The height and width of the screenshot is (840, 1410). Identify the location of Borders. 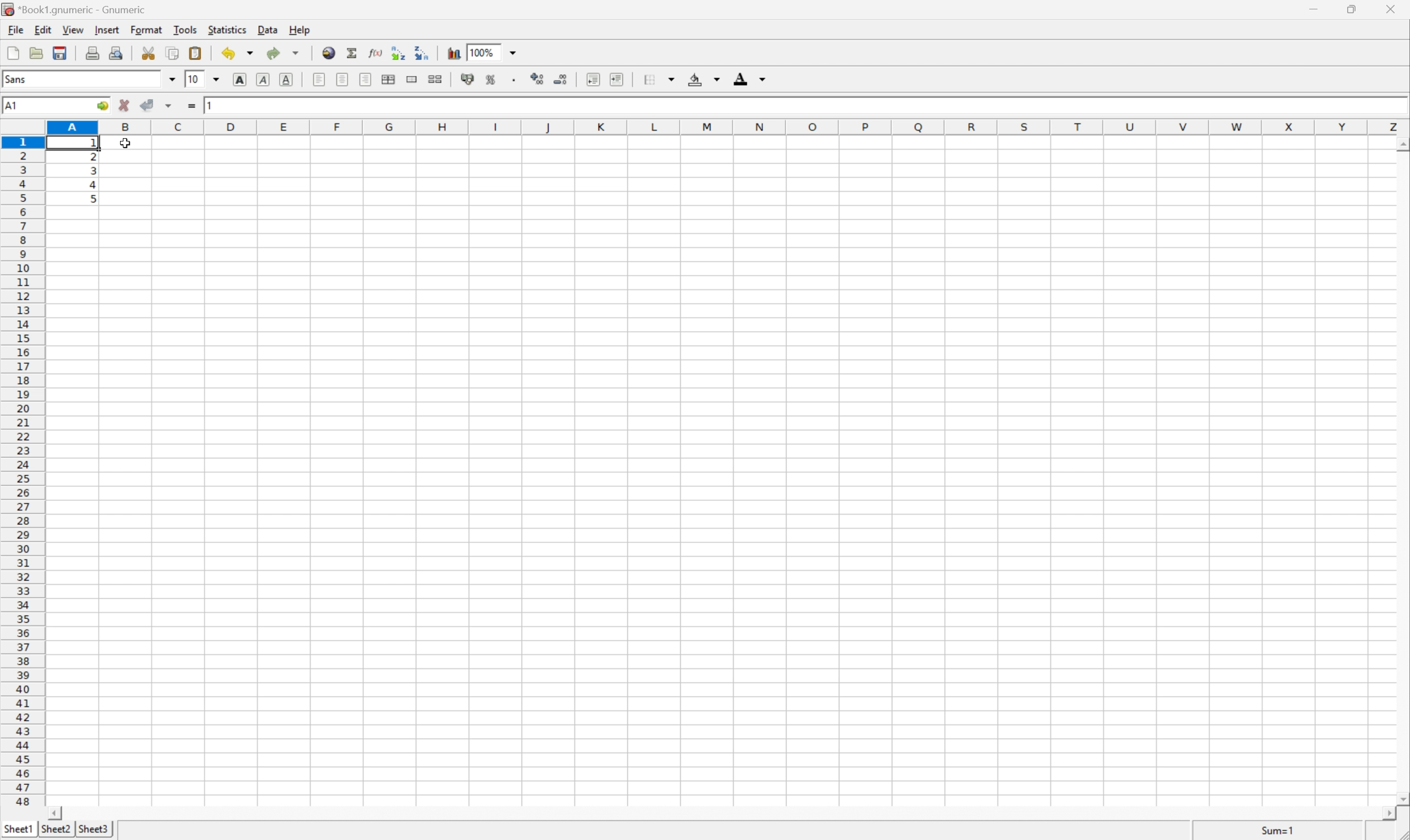
(657, 78).